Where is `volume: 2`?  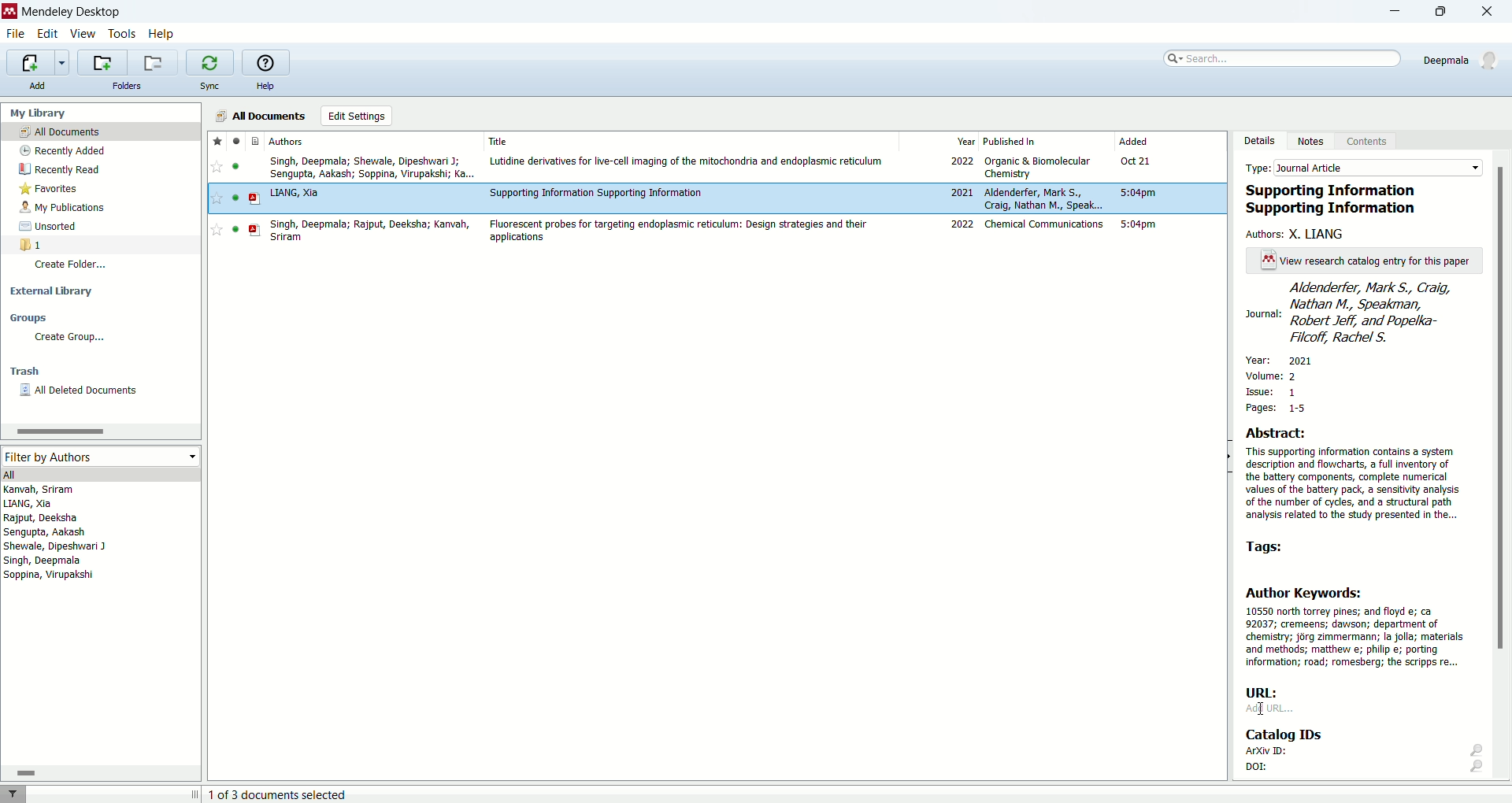
volume: 2 is located at coordinates (1274, 373).